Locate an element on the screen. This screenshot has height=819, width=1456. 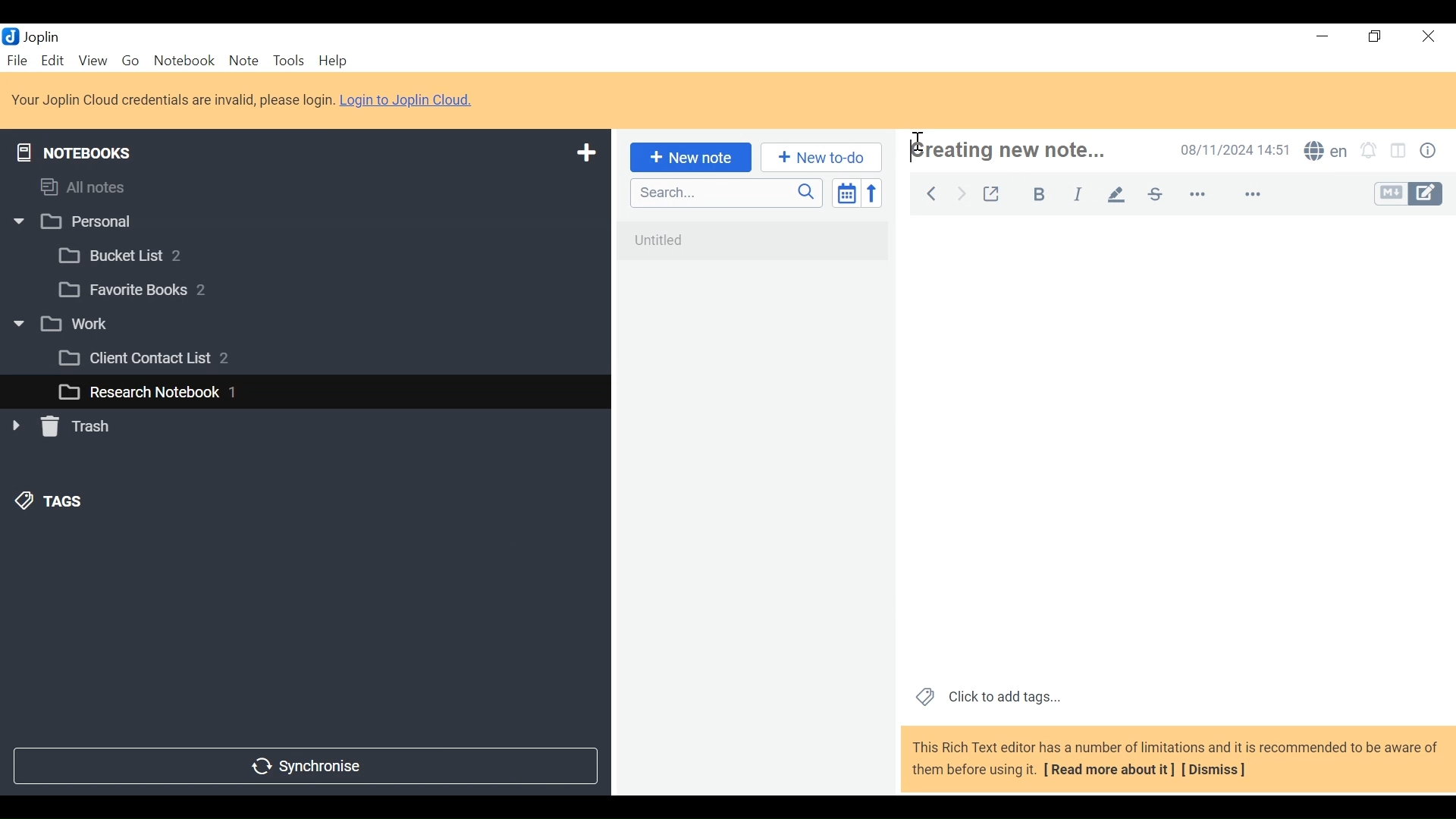
[3 Bucket List 2 is located at coordinates (149, 254).